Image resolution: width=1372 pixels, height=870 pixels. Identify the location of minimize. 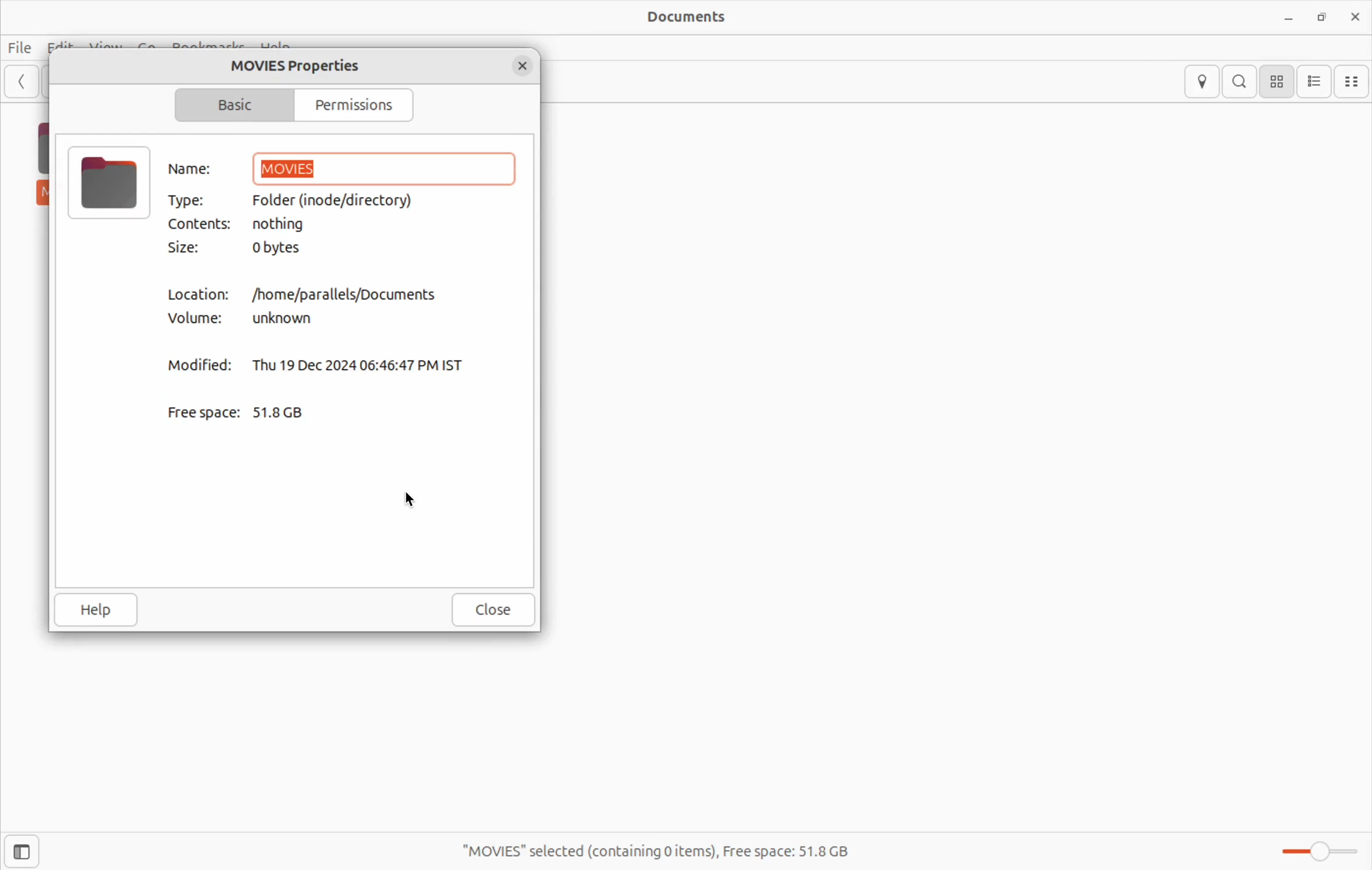
(1288, 15).